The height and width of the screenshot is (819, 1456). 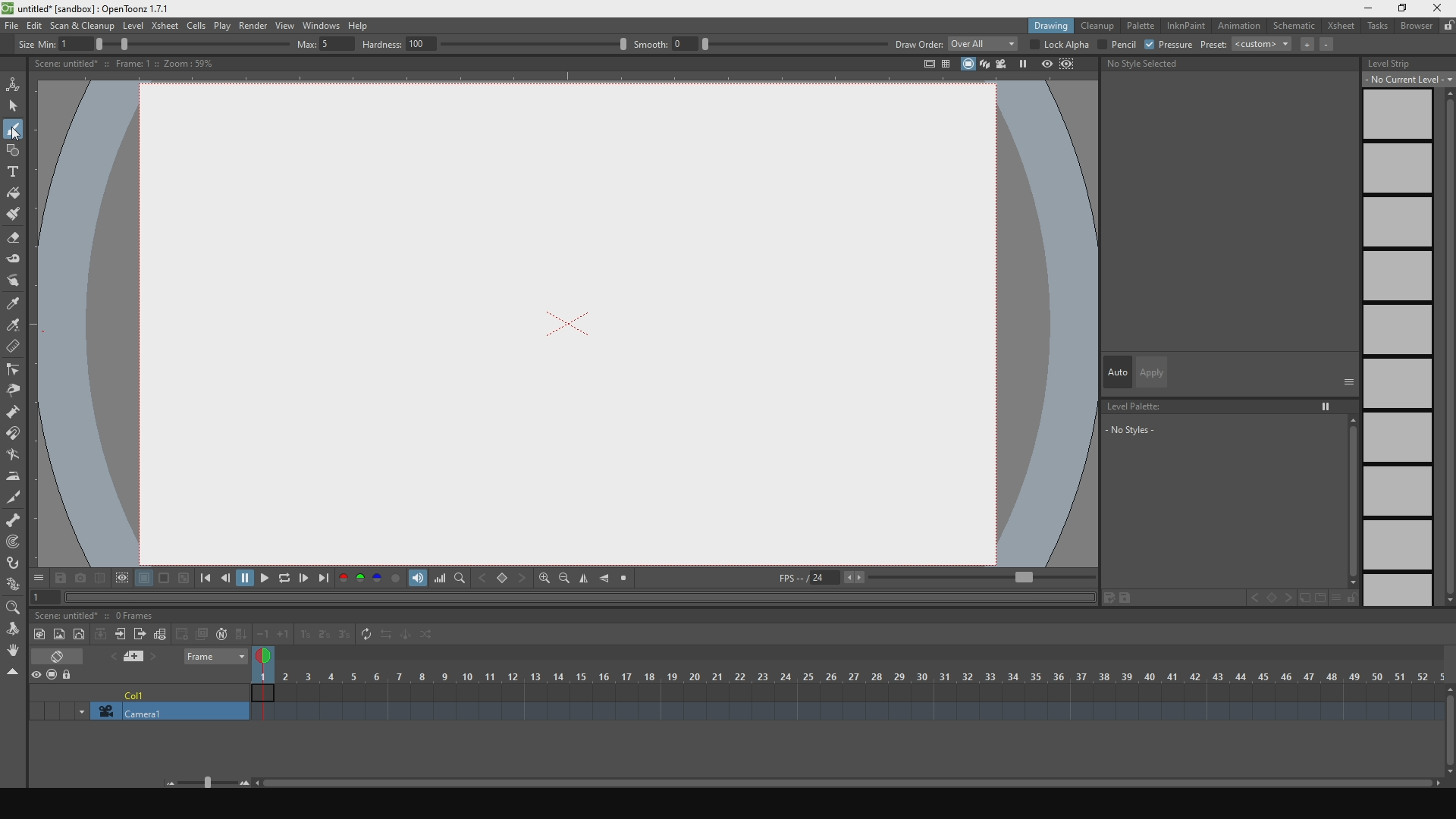 I want to click on capture, so click(x=79, y=579).